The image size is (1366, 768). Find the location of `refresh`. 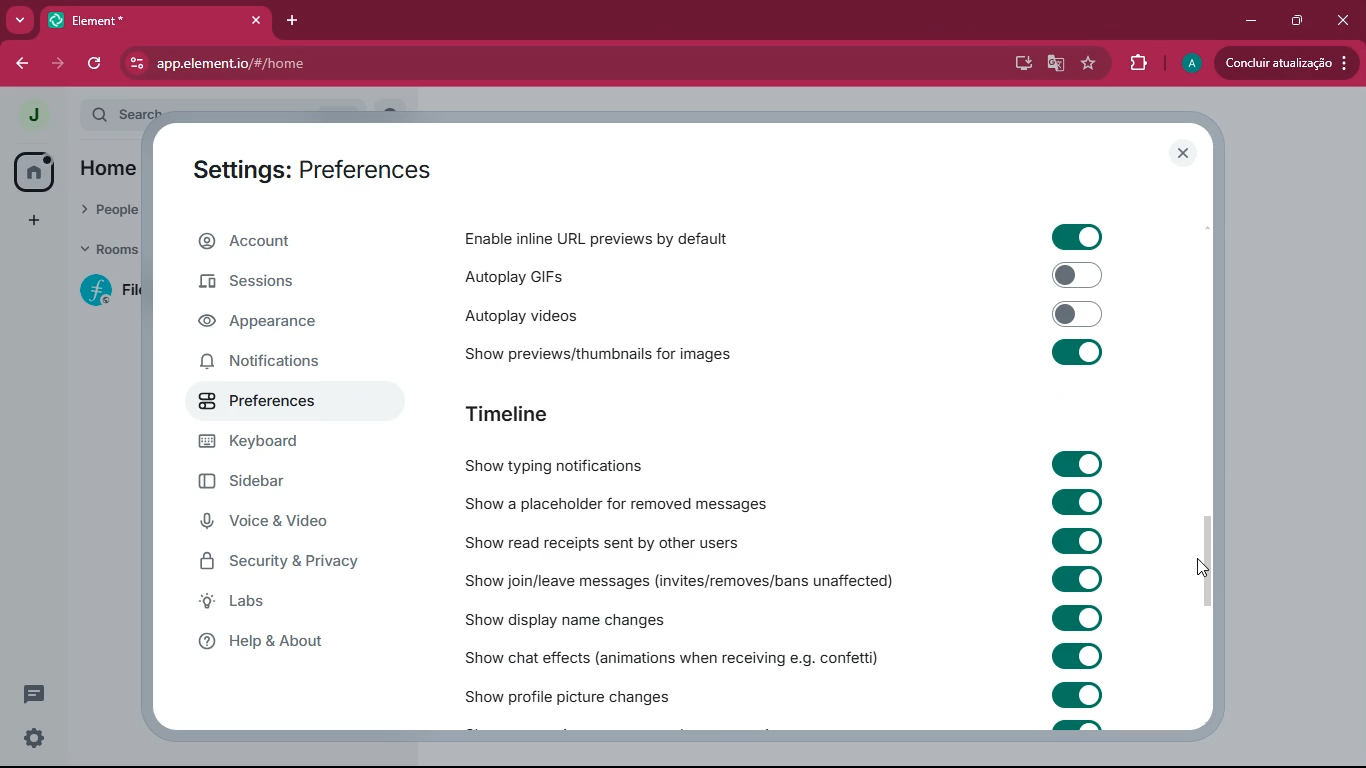

refresh is located at coordinates (99, 64).